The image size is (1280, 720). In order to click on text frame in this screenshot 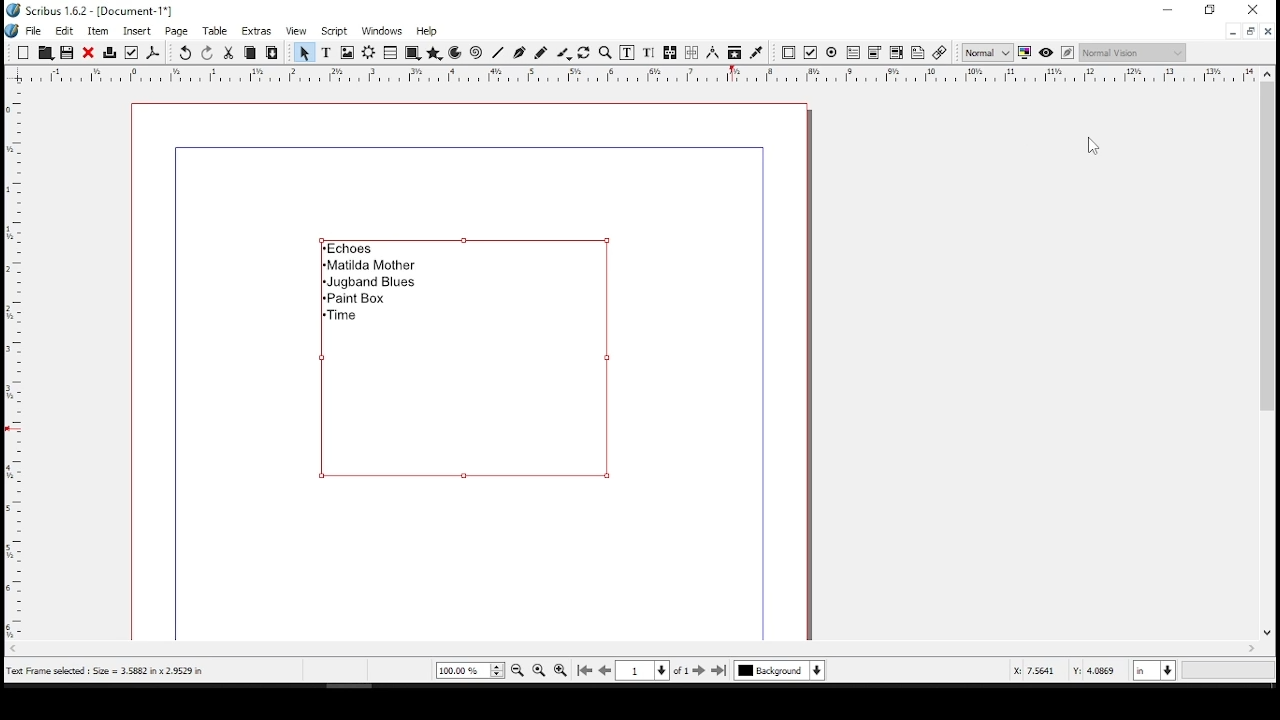, I will do `click(326, 53)`.